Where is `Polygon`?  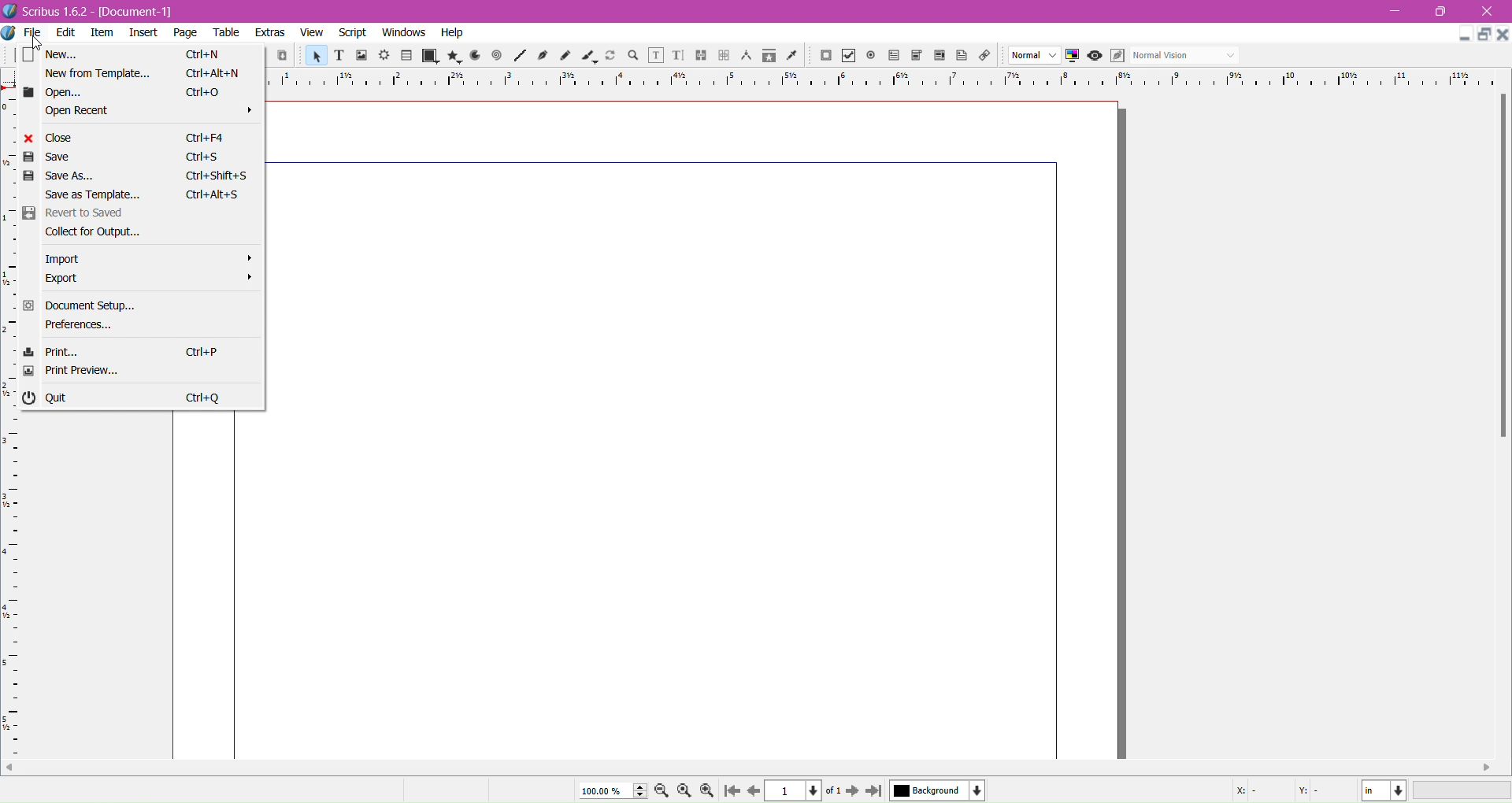
Polygon is located at coordinates (454, 56).